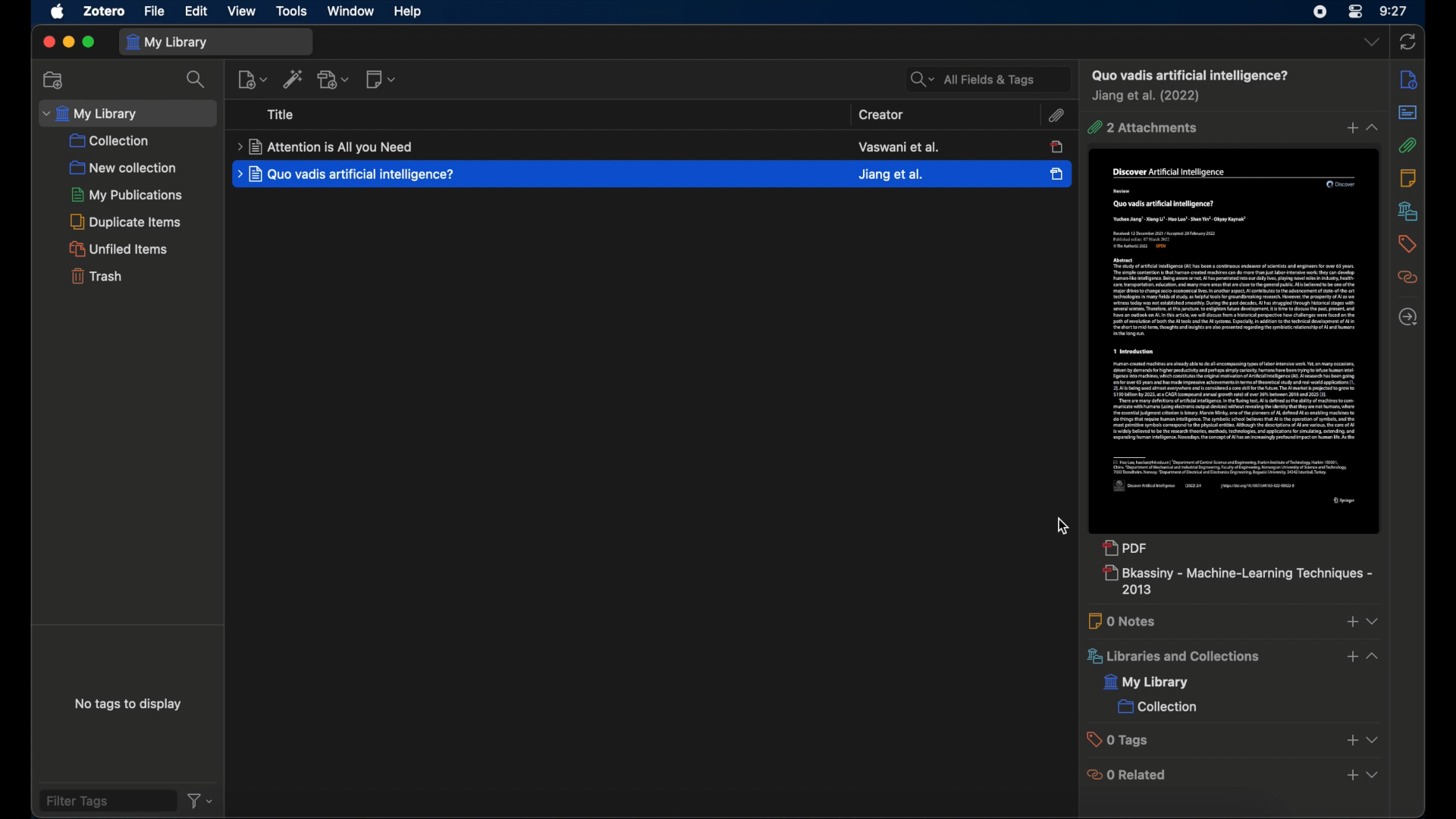  What do you see at coordinates (293, 11) in the screenshot?
I see `tools` at bounding box center [293, 11].